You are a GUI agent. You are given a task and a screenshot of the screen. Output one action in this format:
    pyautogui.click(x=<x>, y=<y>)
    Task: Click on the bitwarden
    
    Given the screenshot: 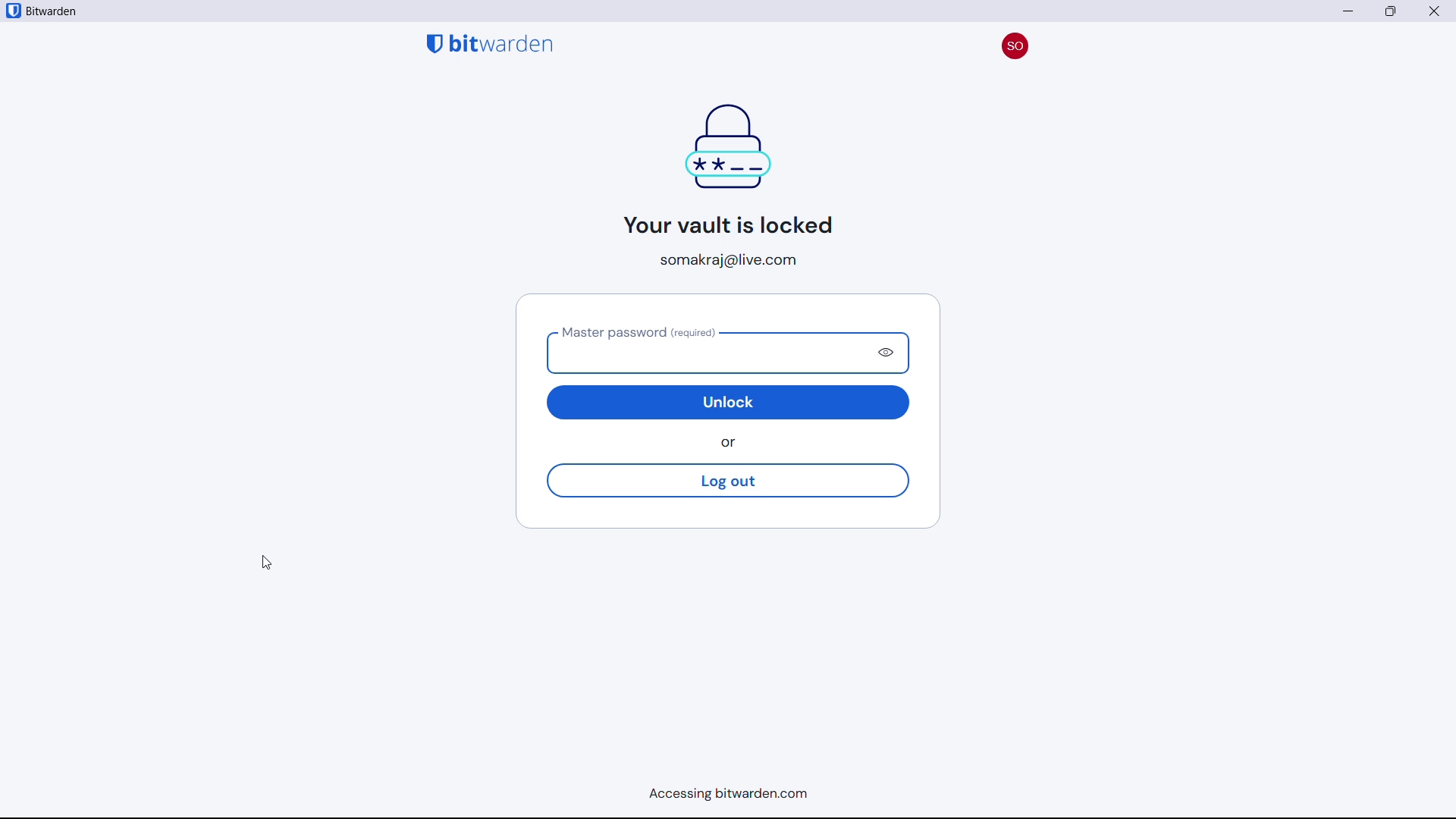 What is the action you would take?
    pyautogui.click(x=58, y=12)
    